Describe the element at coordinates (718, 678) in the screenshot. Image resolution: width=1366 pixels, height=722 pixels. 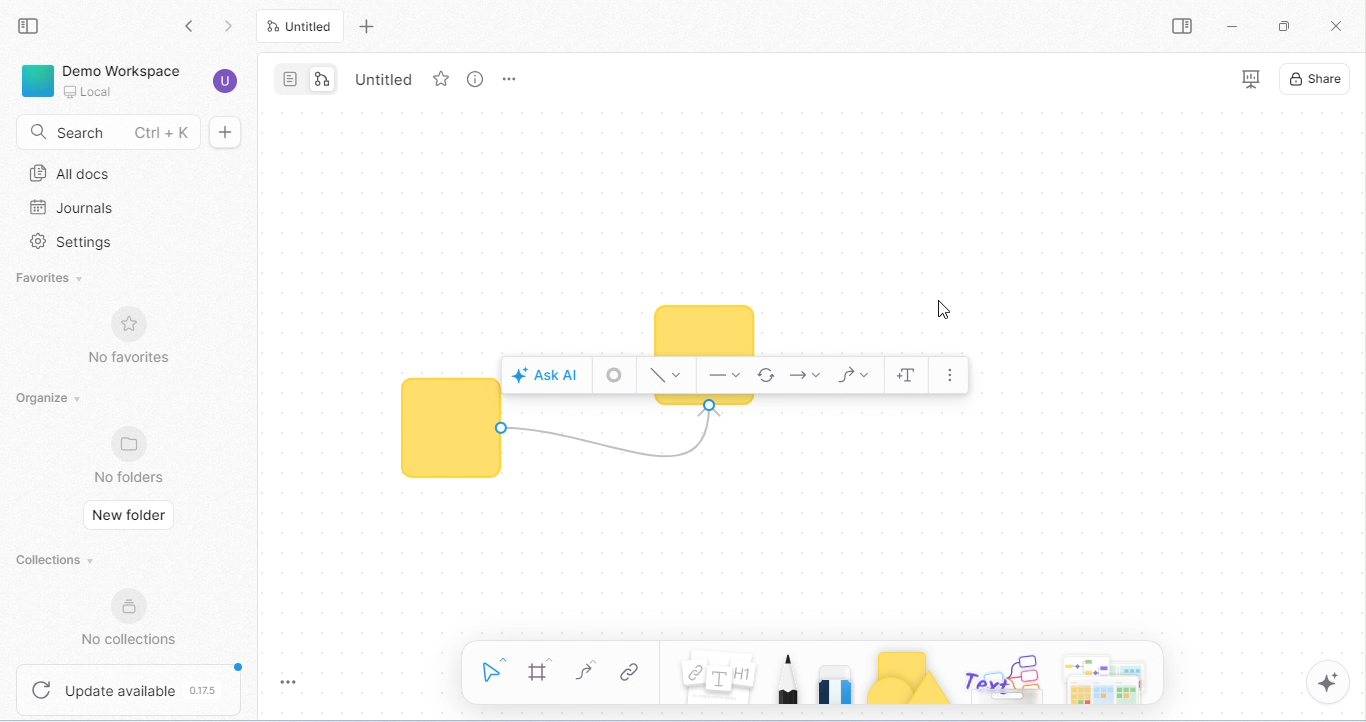
I see `notes` at that location.